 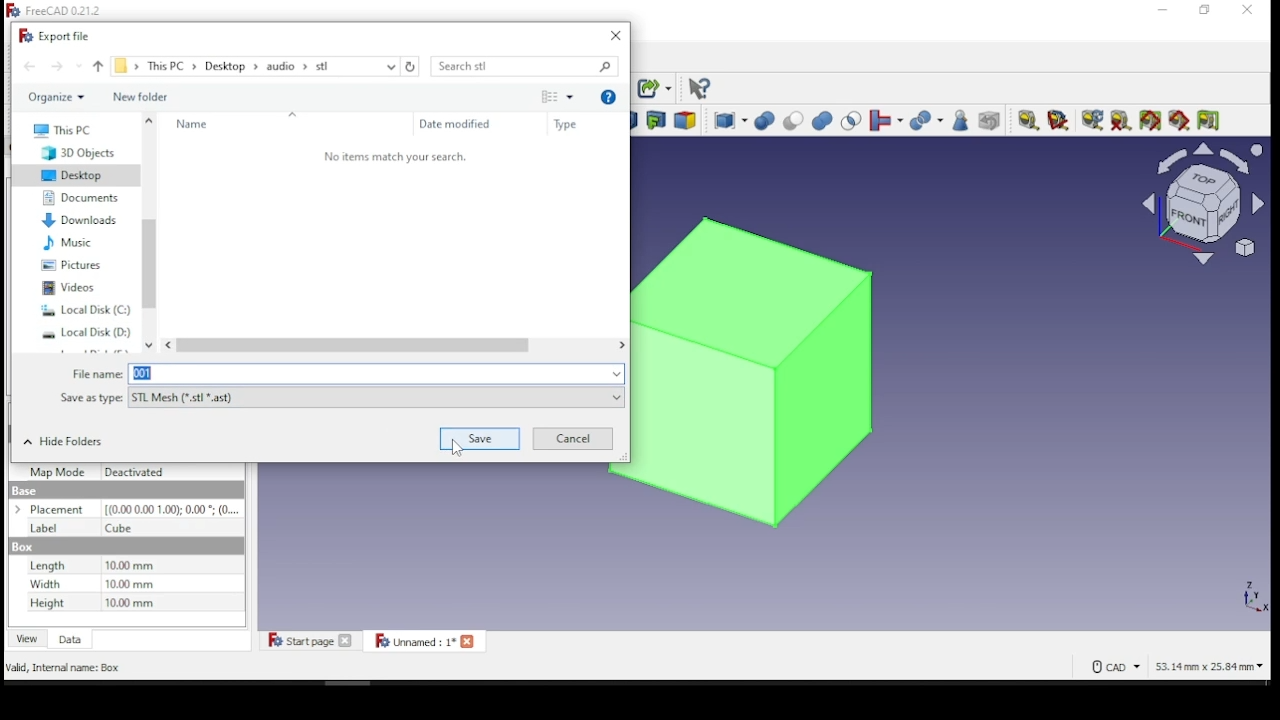 What do you see at coordinates (577, 437) in the screenshot?
I see `cancel` at bounding box center [577, 437].